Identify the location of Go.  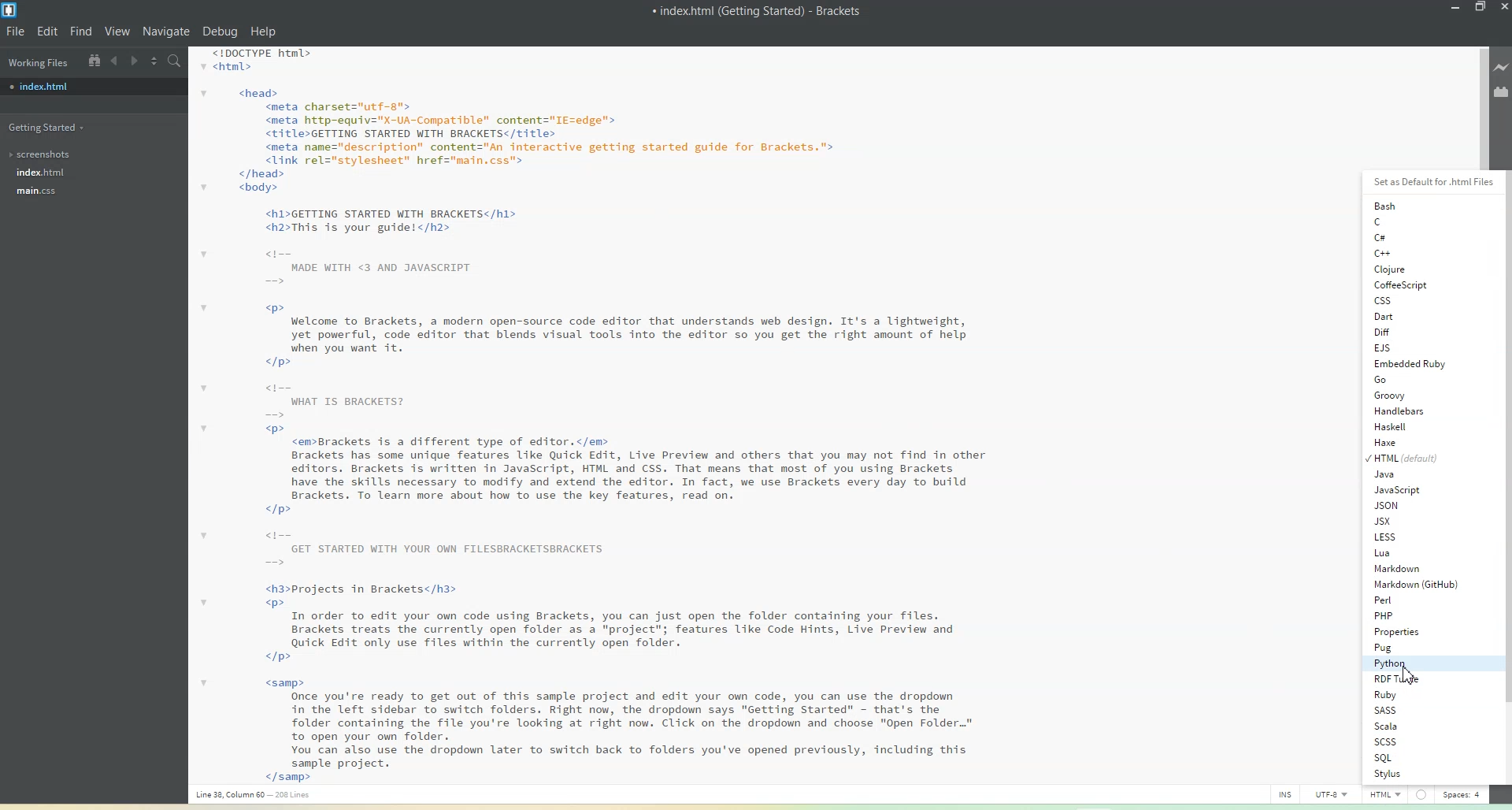
(1409, 381).